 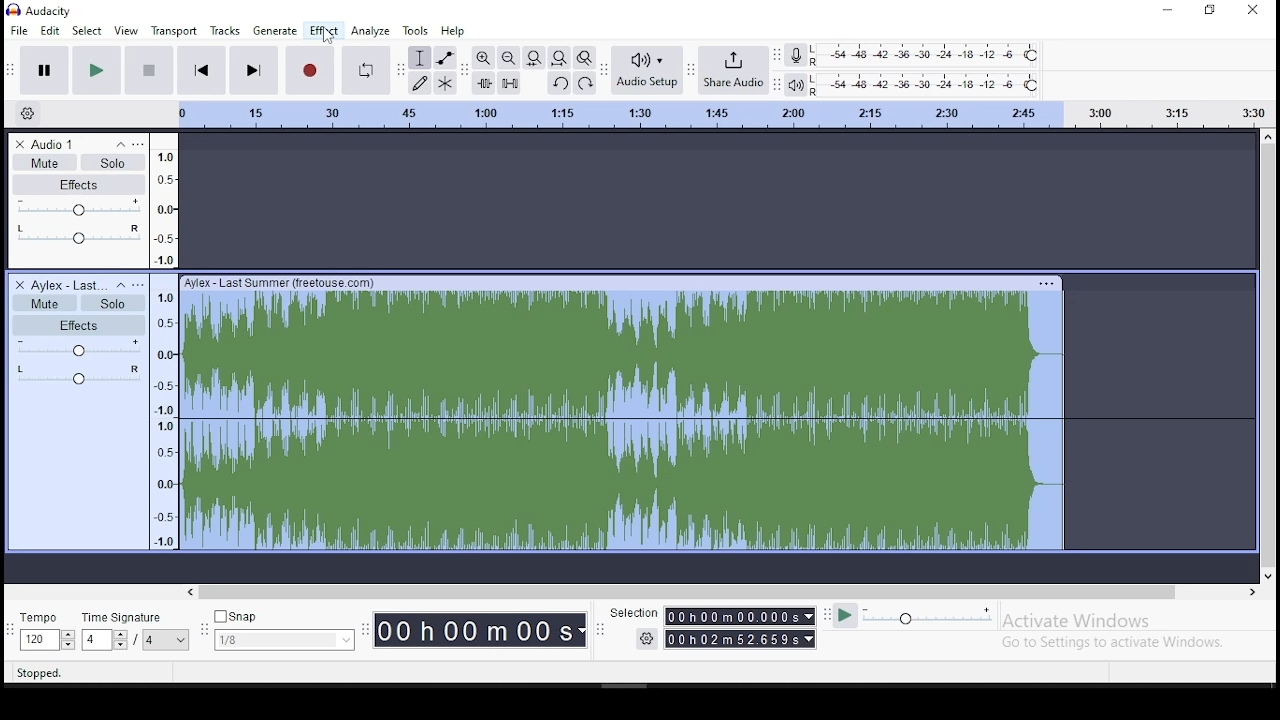 I want to click on pause, so click(x=44, y=70).